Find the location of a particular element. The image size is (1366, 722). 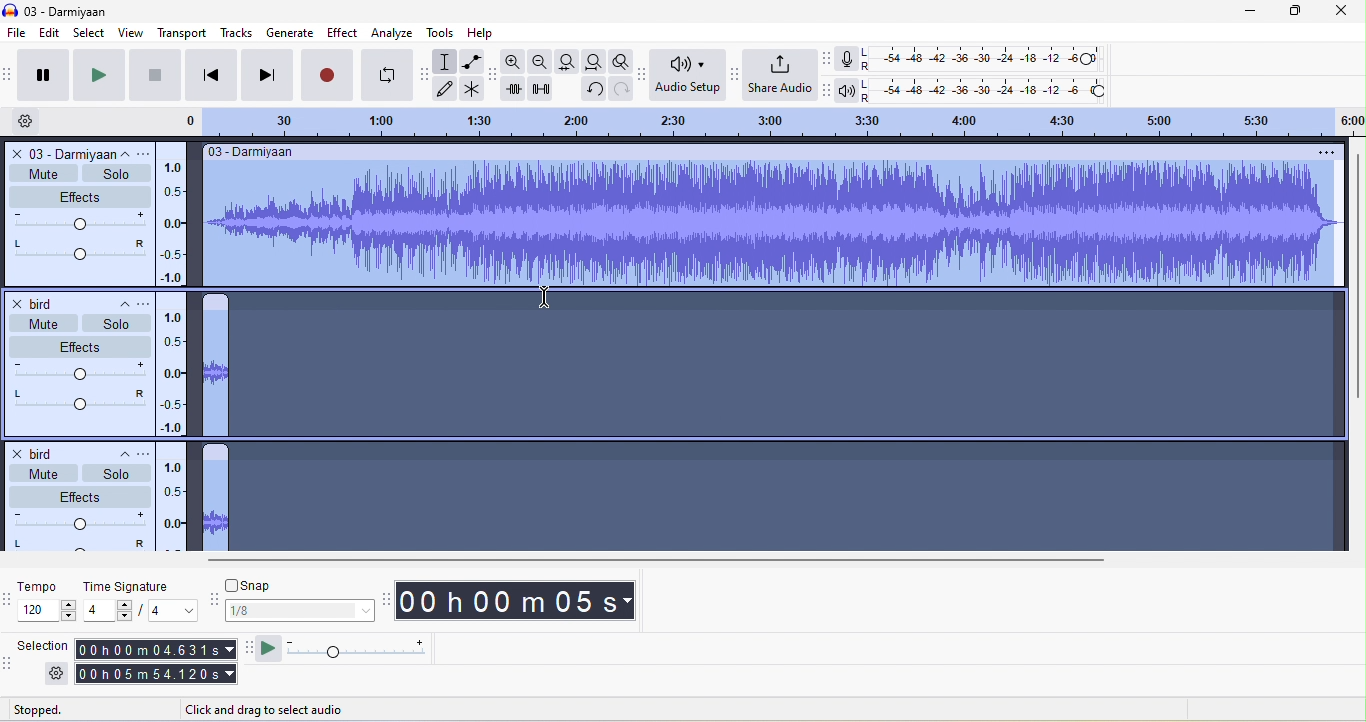

volume is located at coordinates (76, 370).